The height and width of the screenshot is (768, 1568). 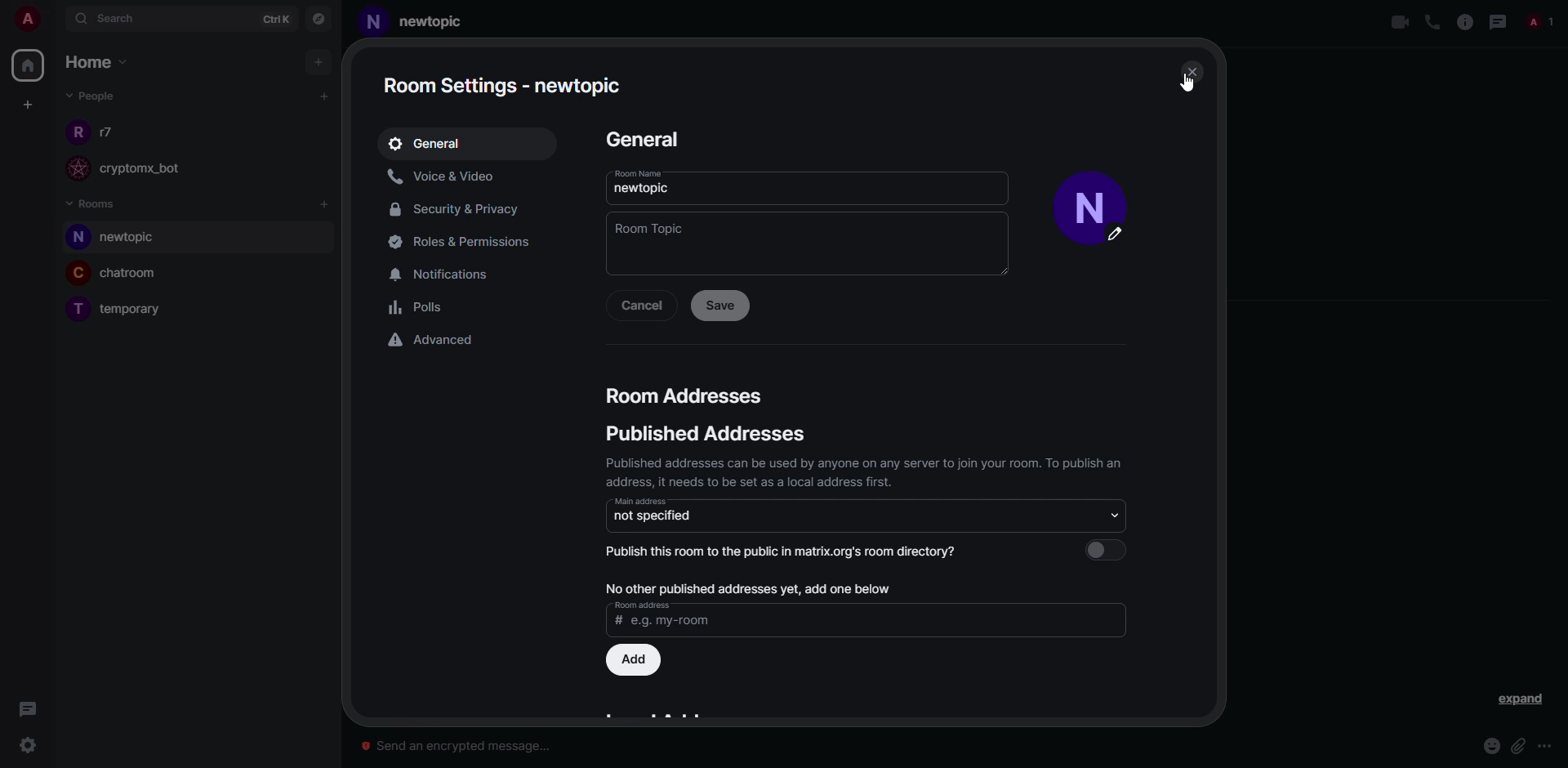 I want to click on start chat, so click(x=323, y=96).